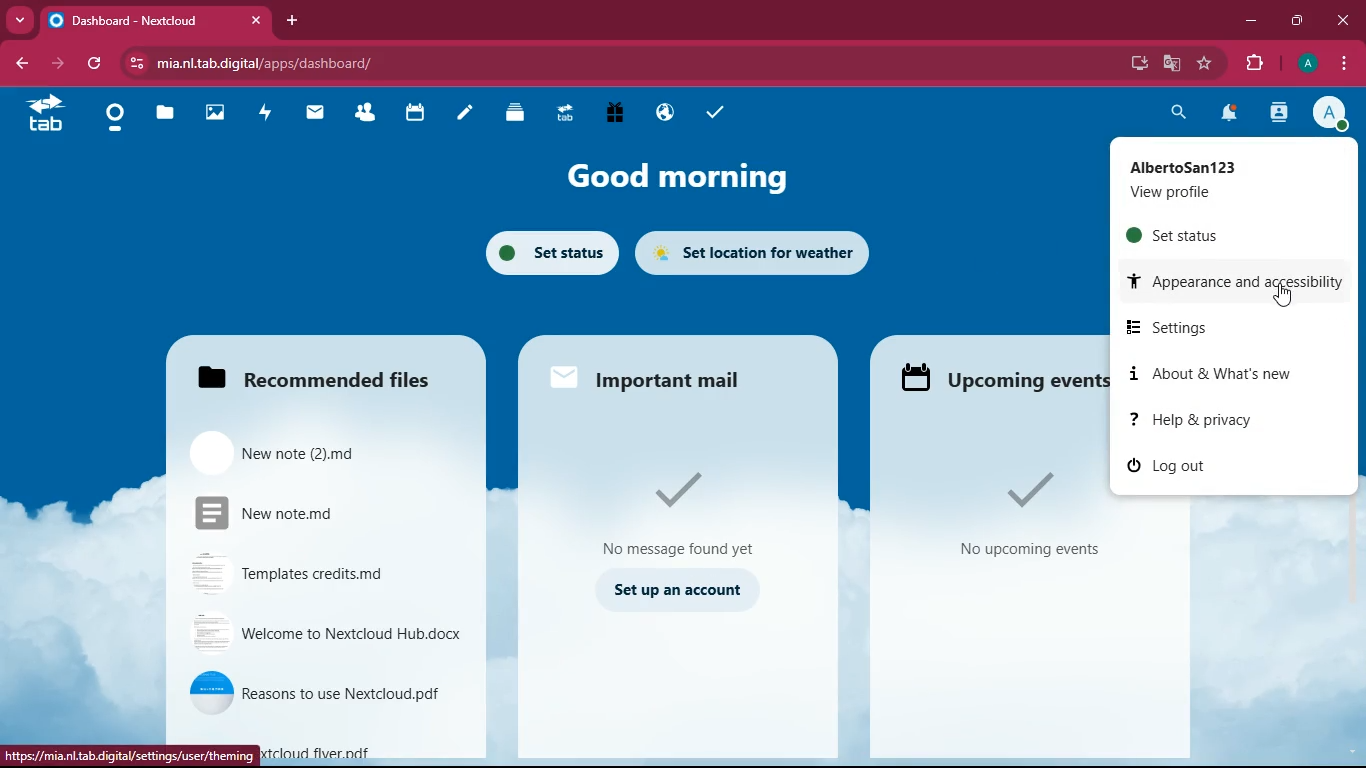 Image resolution: width=1366 pixels, height=768 pixels. What do you see at coordinates (1176, 115) in the screenshot?
I see `search` at bounding box center [1176, 115].